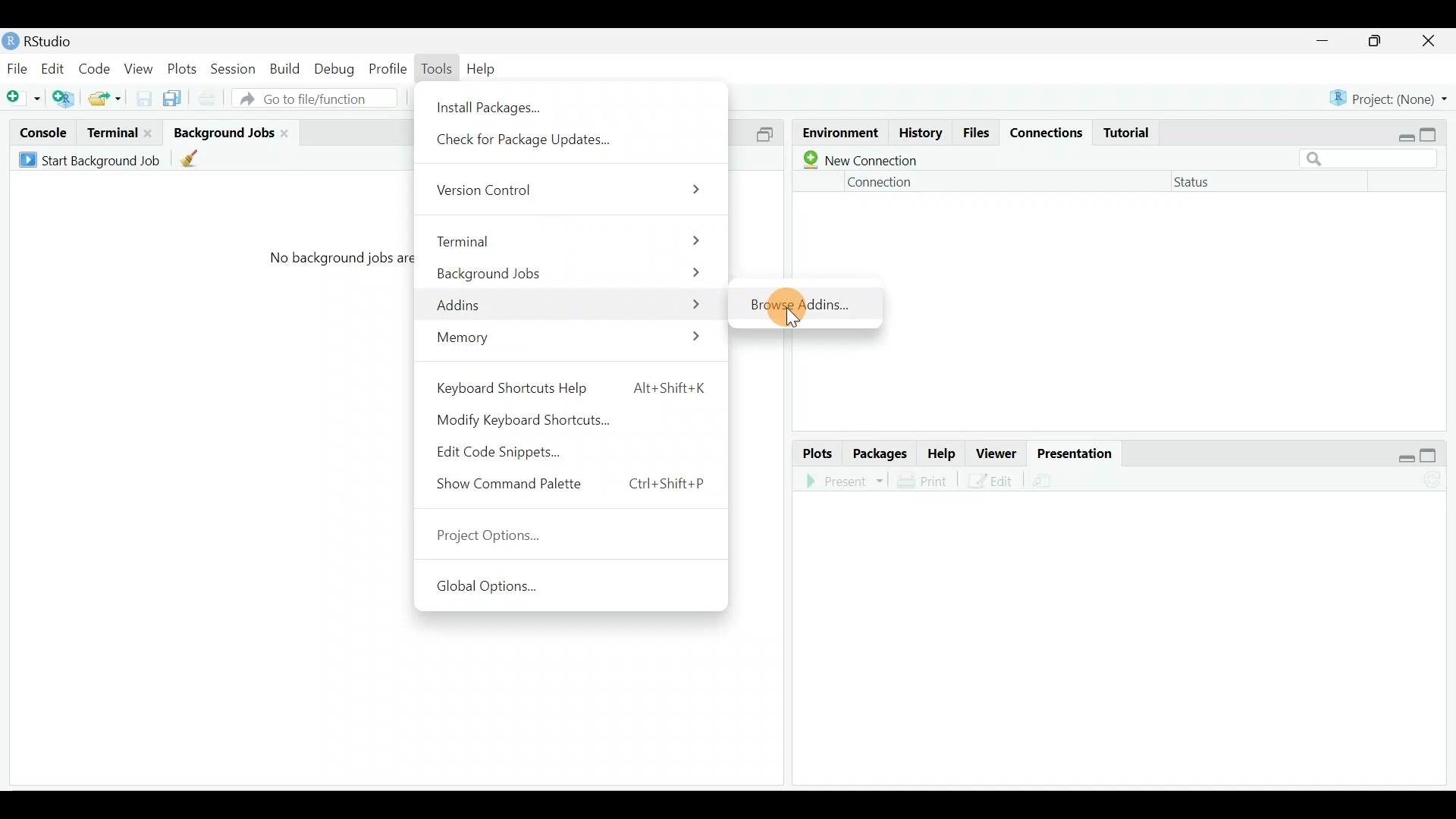  Describe the element at coordinates (193, 158) in the screenshot. I see `Clean up all completed background jobs` at that location.